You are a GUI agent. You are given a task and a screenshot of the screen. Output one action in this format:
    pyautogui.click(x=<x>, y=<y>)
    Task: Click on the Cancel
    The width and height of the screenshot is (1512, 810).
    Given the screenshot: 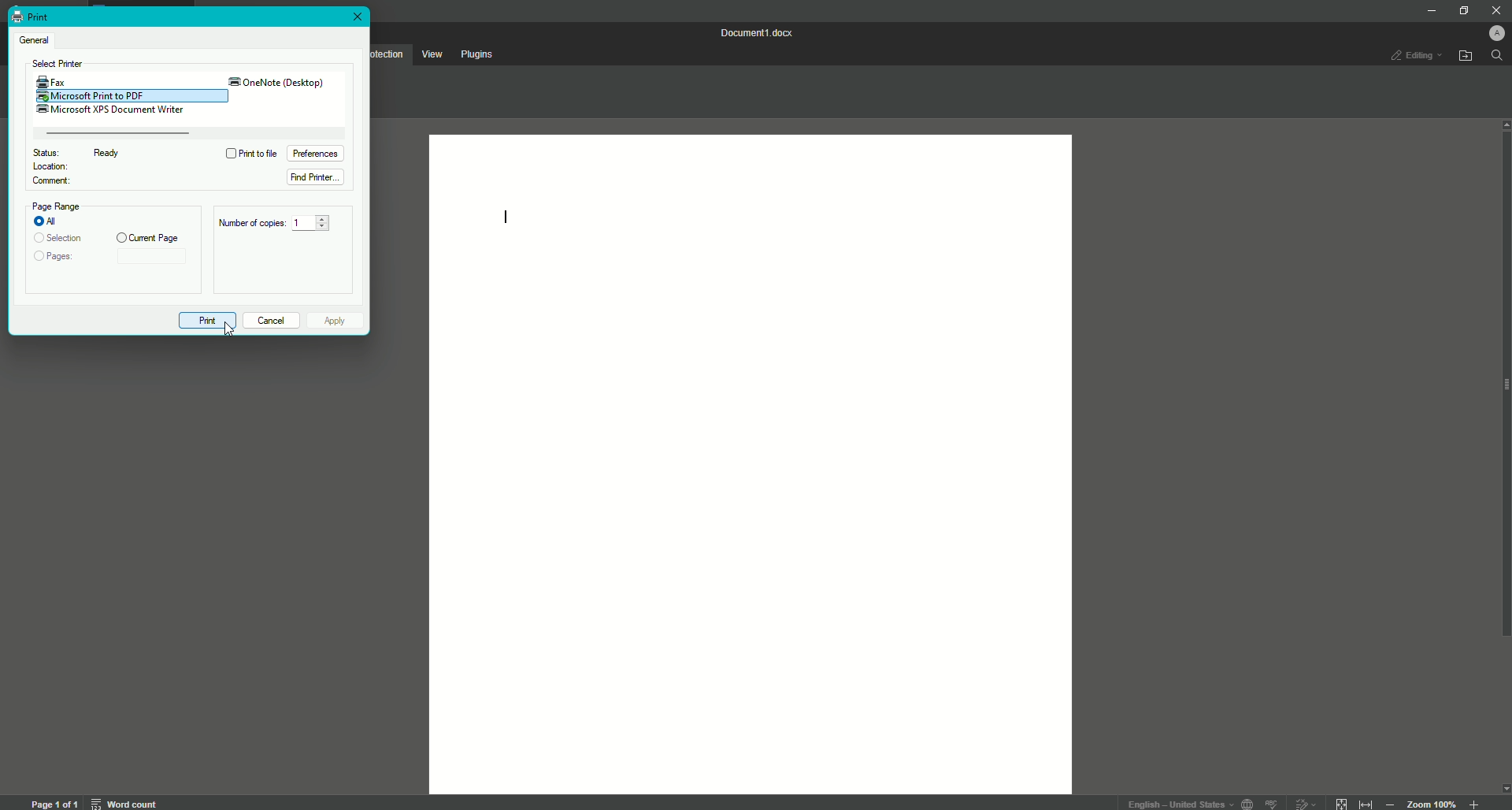 What is the action you would take?
    pyautogui.click(x=271, y=318)
    